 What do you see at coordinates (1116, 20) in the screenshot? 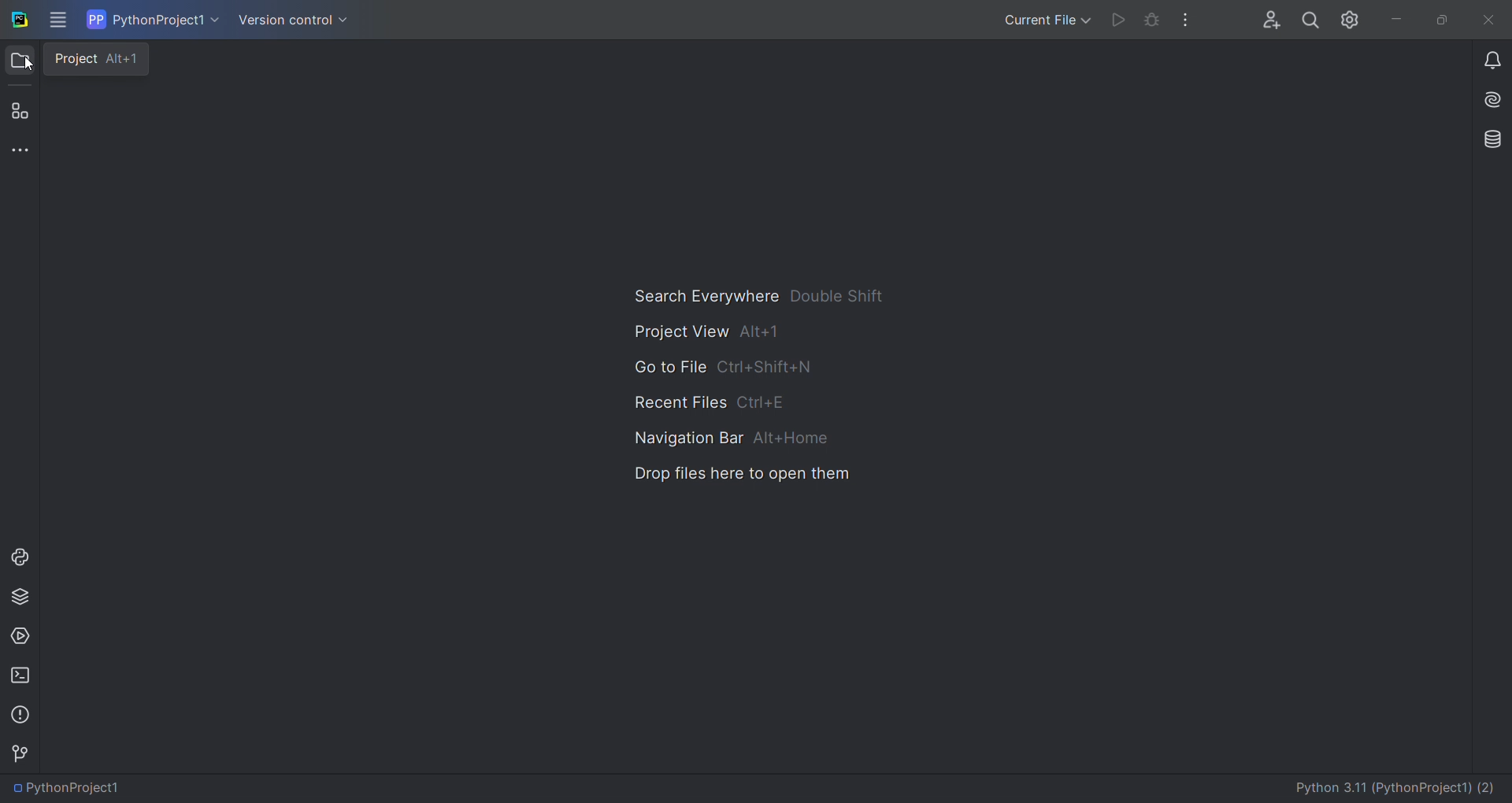
I see `run` at bounding box center [1116, 20].